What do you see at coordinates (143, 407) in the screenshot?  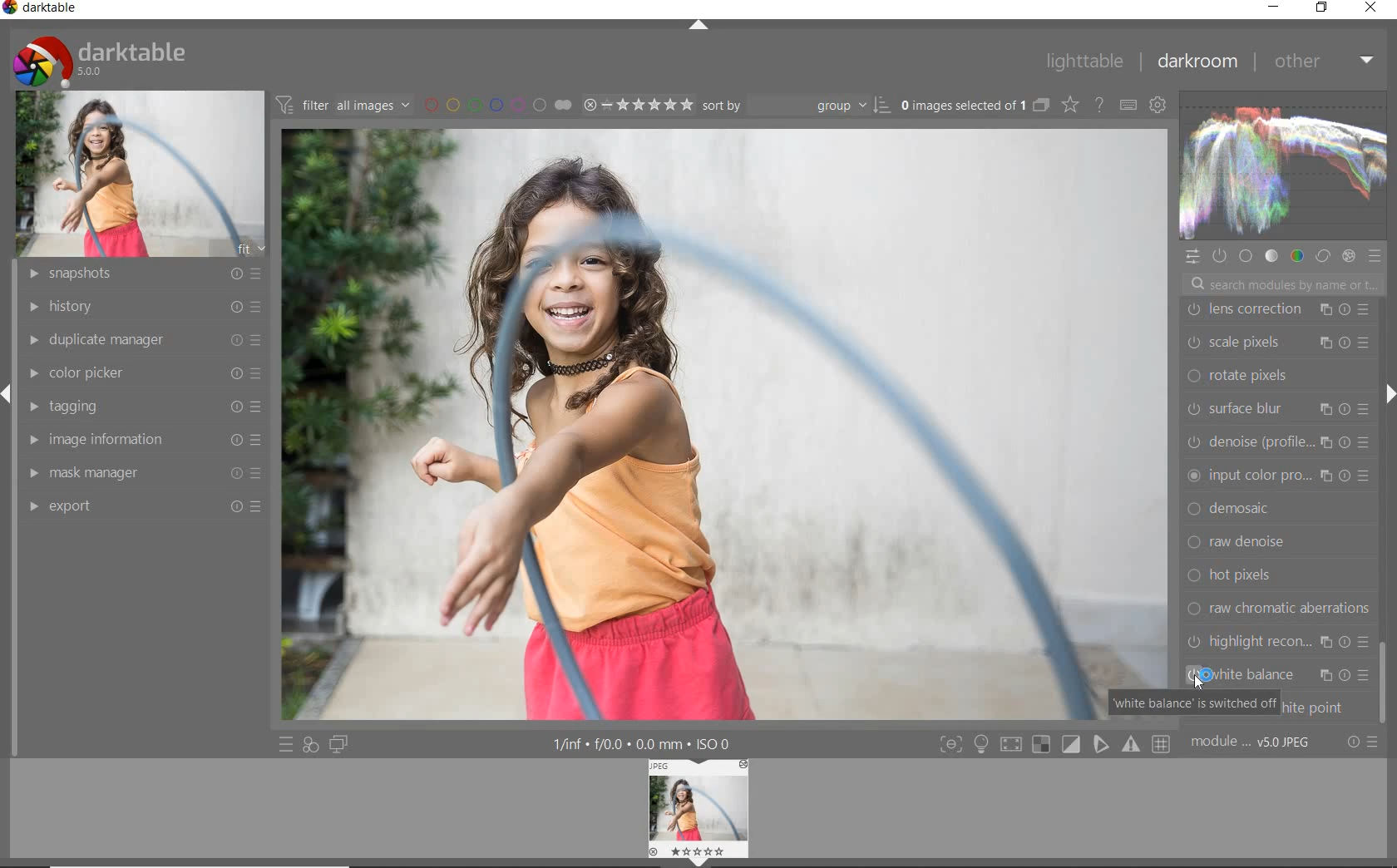 I see `tagging` at bounding box center [143, 407].